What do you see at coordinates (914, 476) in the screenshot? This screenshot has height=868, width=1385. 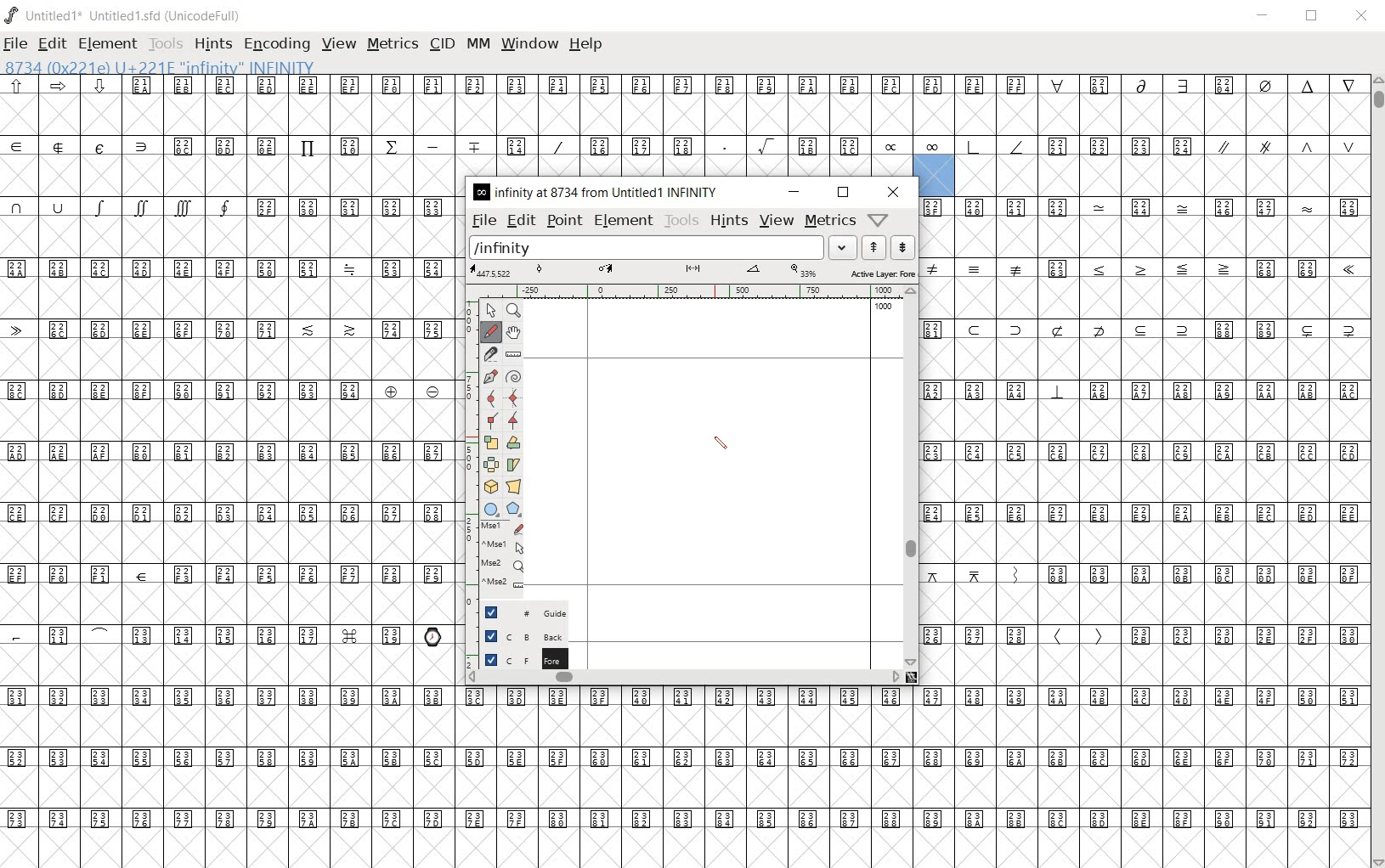 I see `scrollbar` at bounding box center [914, 476].